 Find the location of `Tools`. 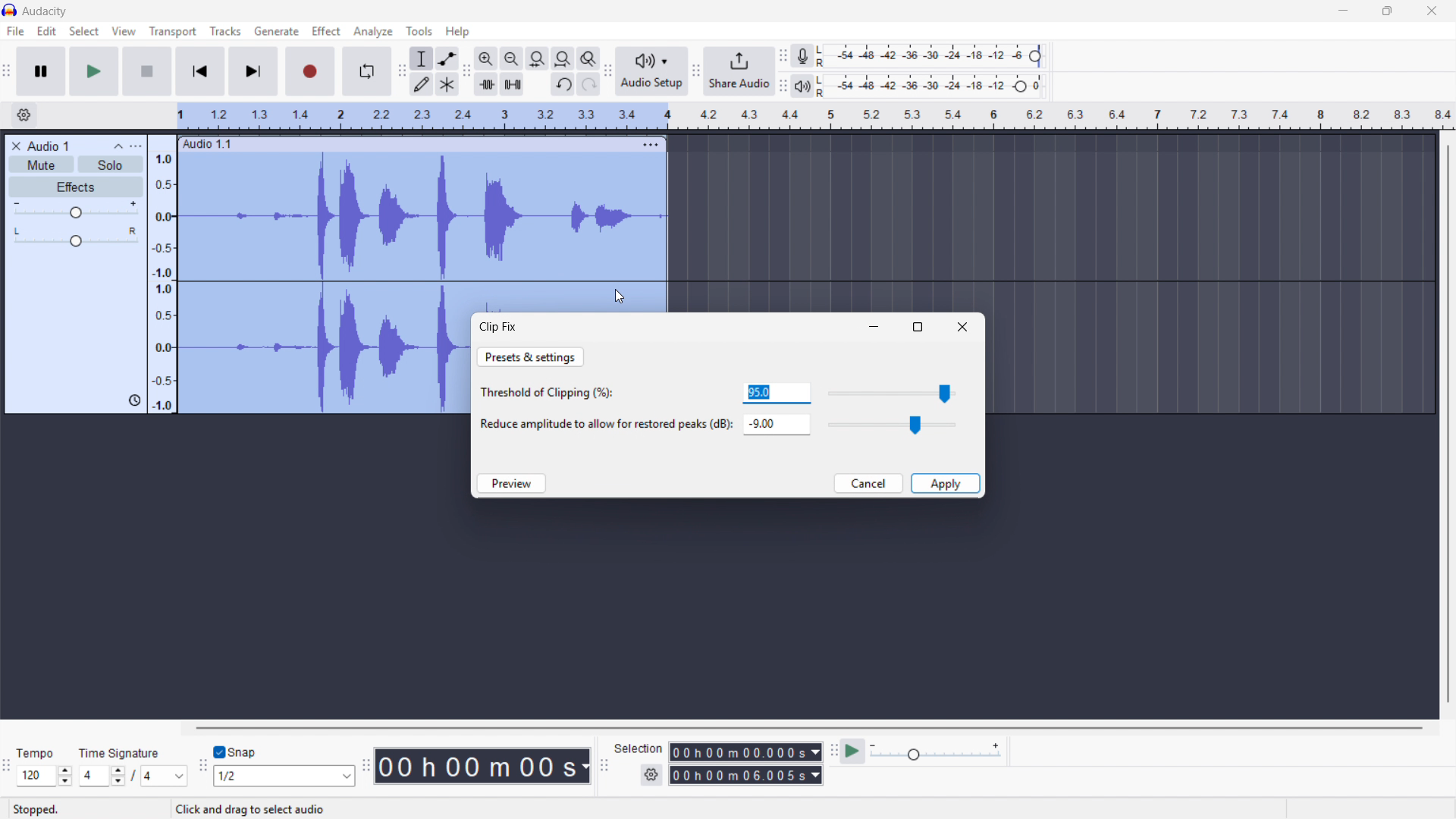

Tools is located at coordinates (419, 31).